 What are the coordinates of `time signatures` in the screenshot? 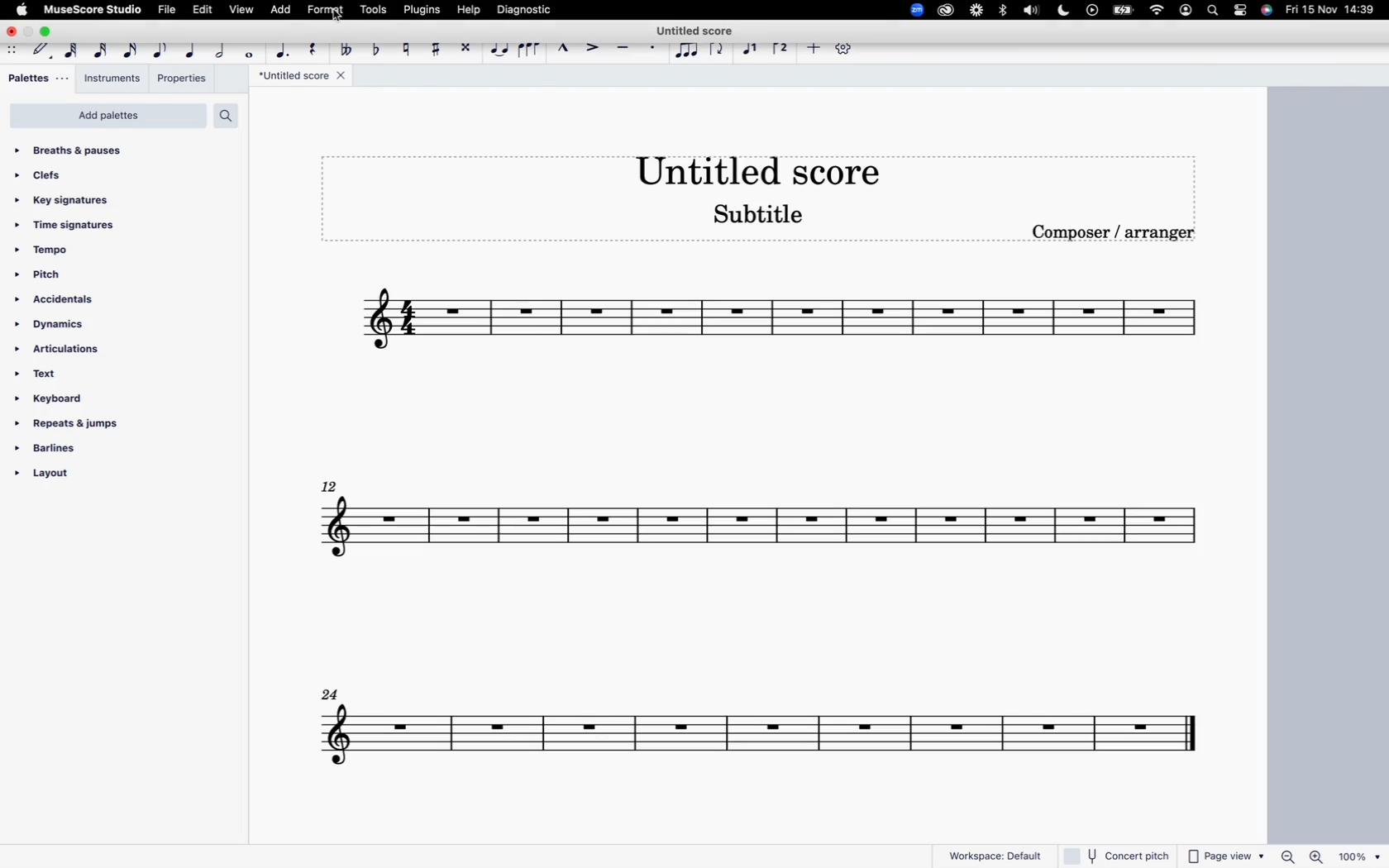 It's located at (70, 225).